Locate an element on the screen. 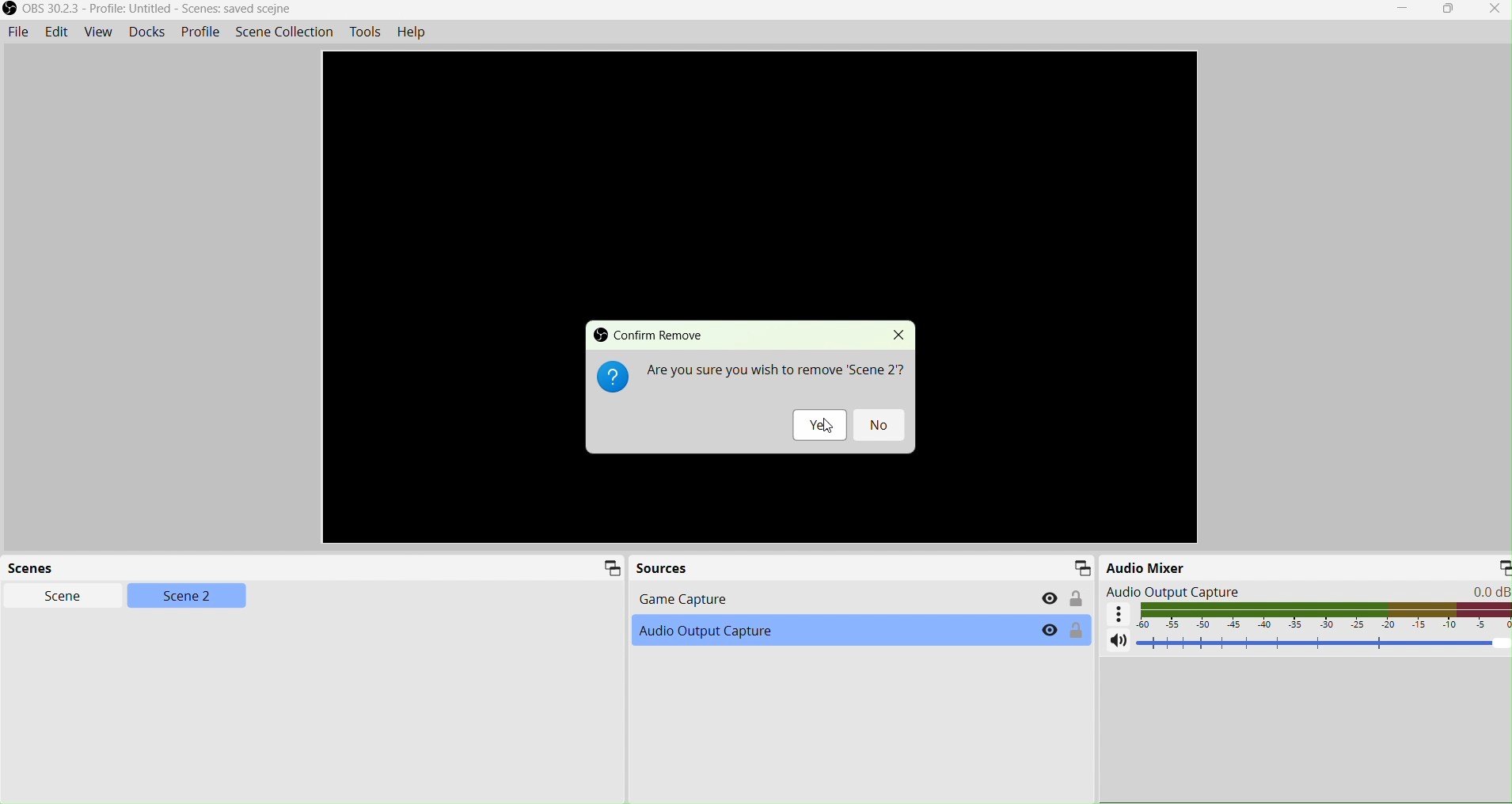 This screenshot has width=1512, height=804. Advance Audio setting  is located at coordinates (1119, 614).